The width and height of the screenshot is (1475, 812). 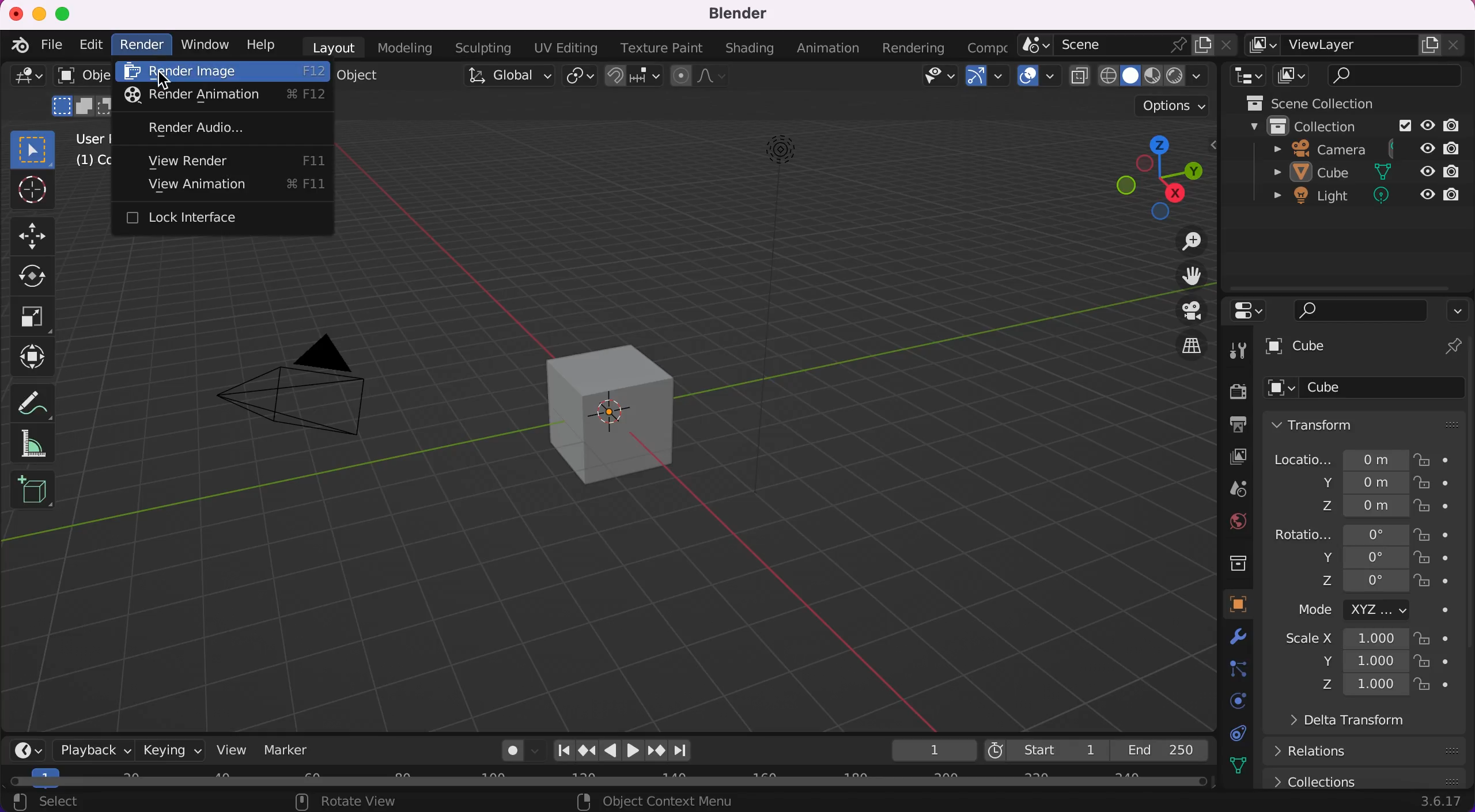 I want to click on particles, so click(x=1230, y=669).